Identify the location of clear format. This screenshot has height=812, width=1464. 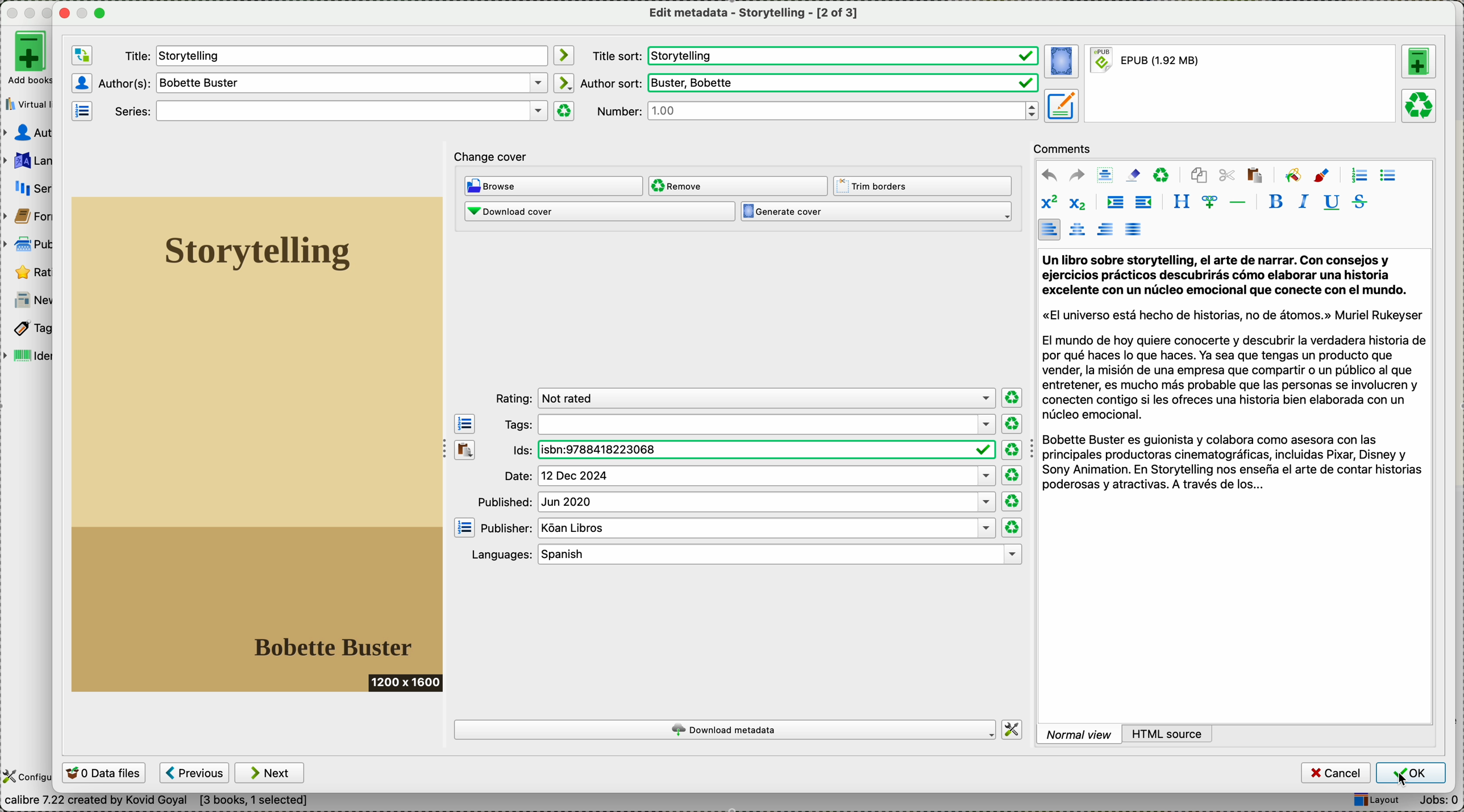
(564, 111).